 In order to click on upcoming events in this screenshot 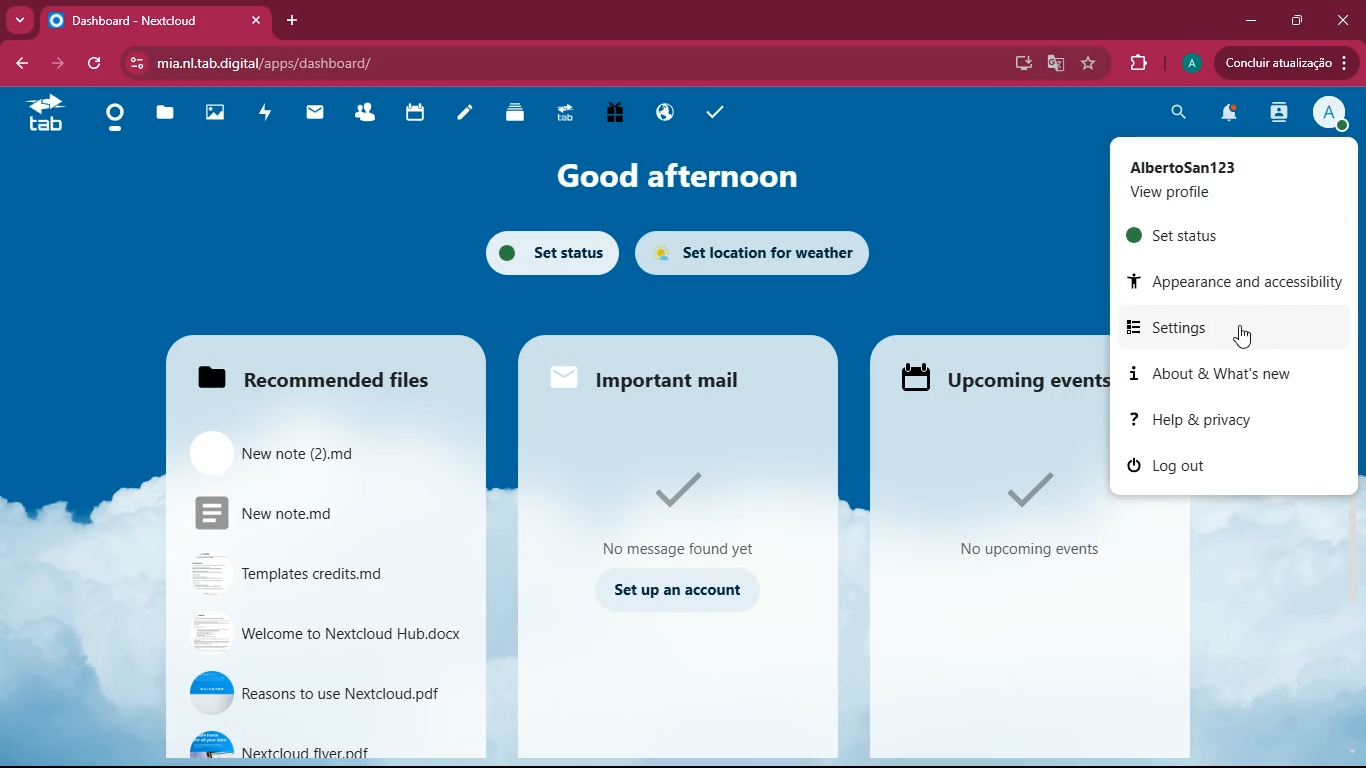, I will do `click(1002, 377)`.